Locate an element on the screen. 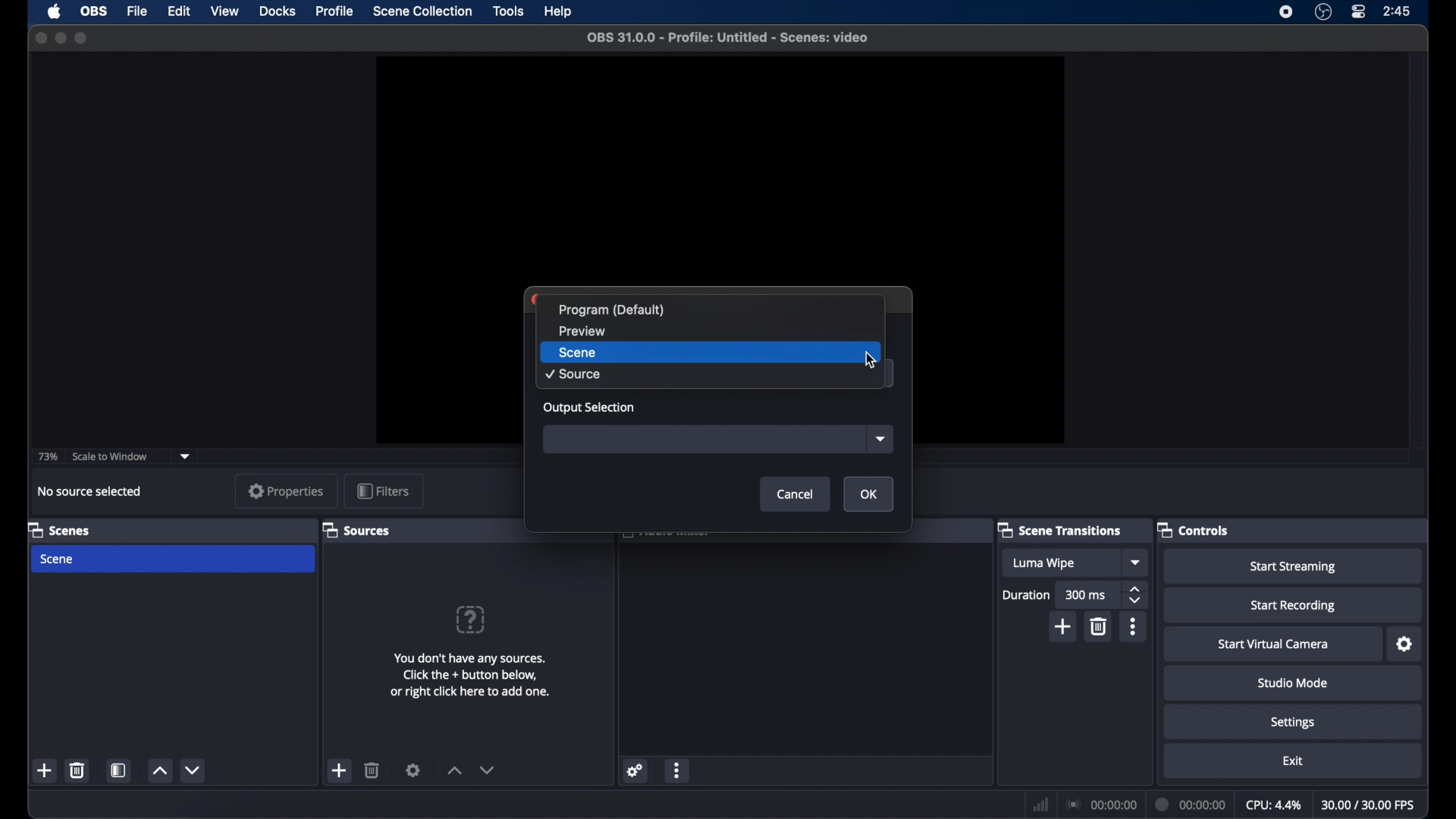 The height and width of the screenshot is (819, 1456). maximize is located at coordinates (83, 38).